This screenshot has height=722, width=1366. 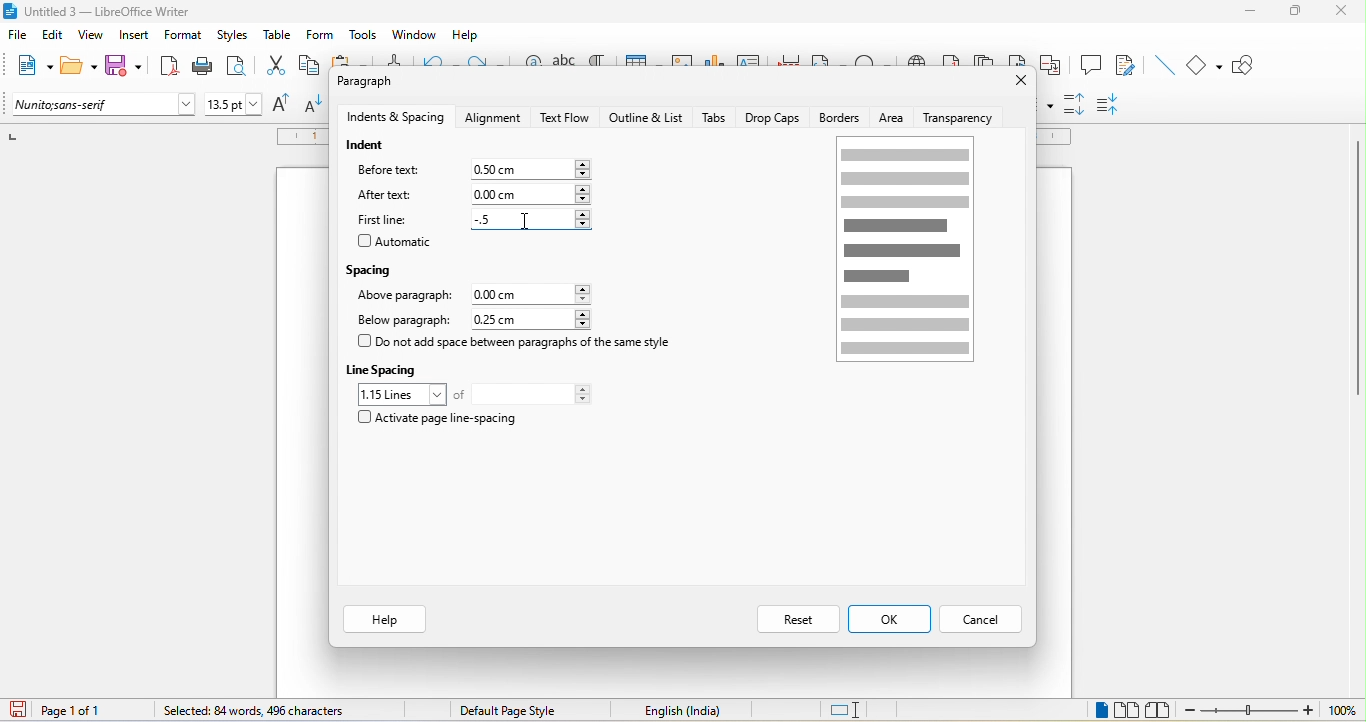 What do you see at coordinates (1288, 12) in the screenshot?
I see `maximize` at bounding box center [1288, 12].